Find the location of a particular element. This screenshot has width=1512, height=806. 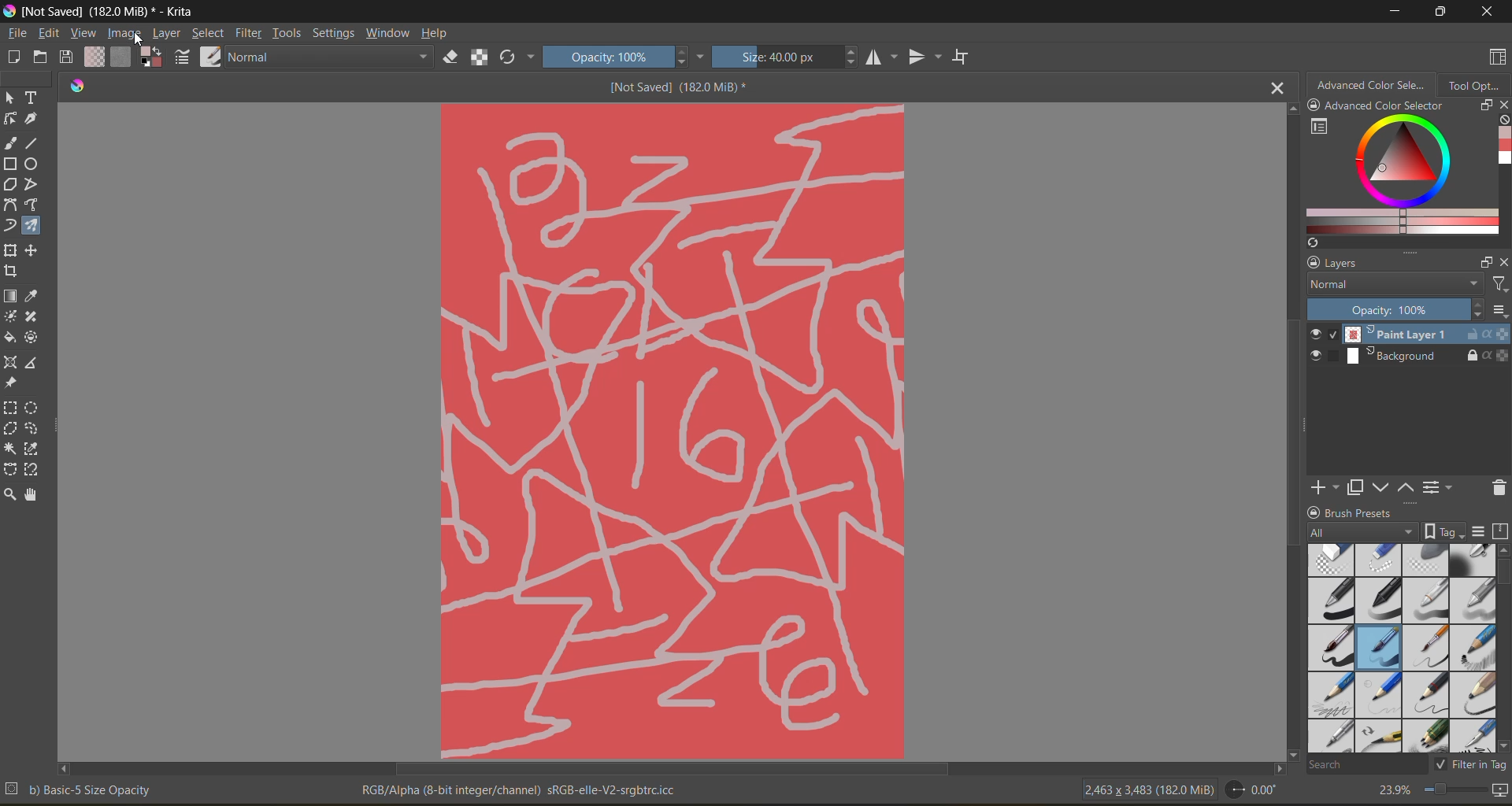

image is located at coordinates (124, 34).